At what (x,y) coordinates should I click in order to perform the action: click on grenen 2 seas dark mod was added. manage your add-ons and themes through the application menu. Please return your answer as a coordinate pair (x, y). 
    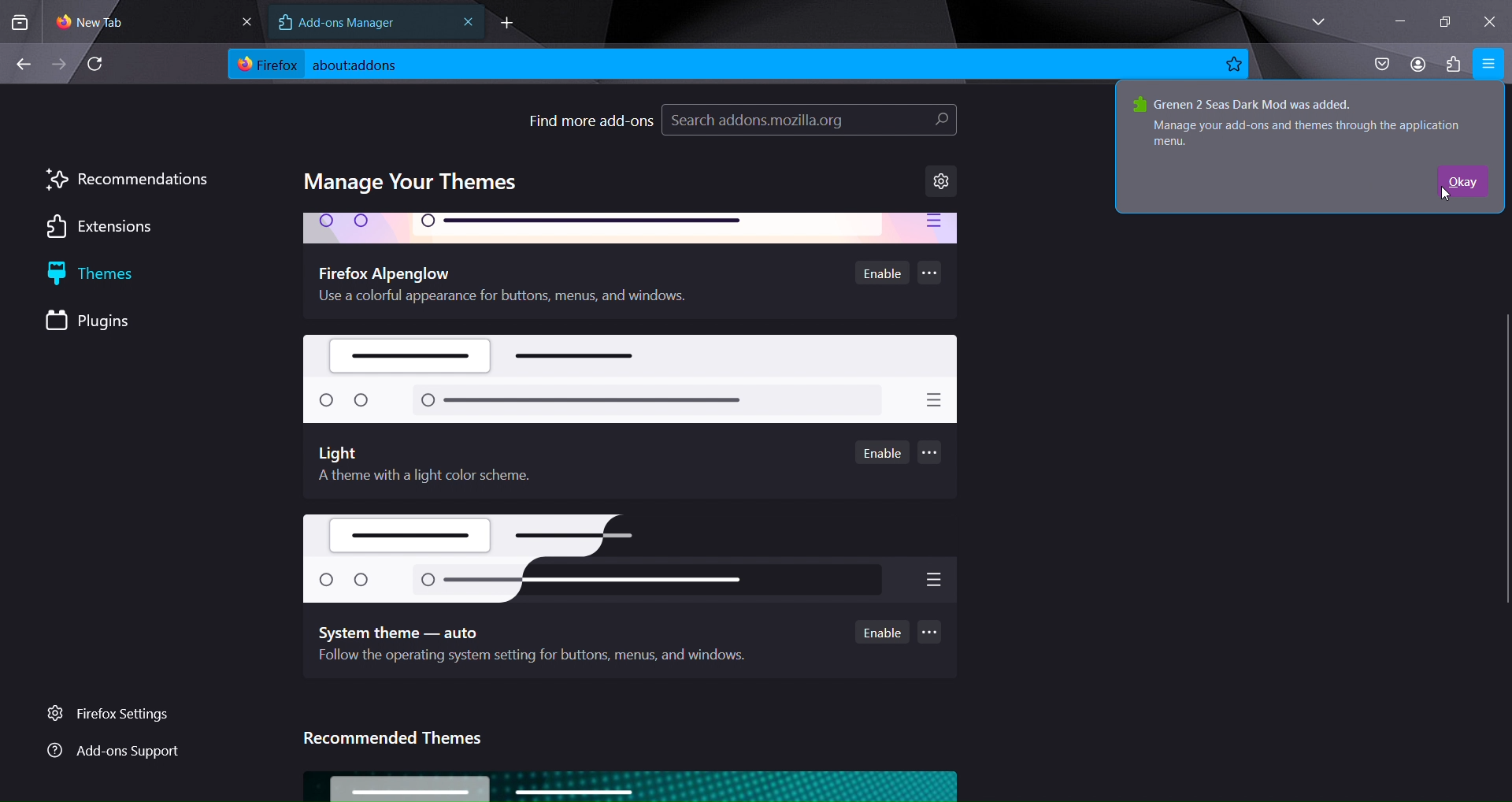
    Looking at the image, I should click on (1304, 121).